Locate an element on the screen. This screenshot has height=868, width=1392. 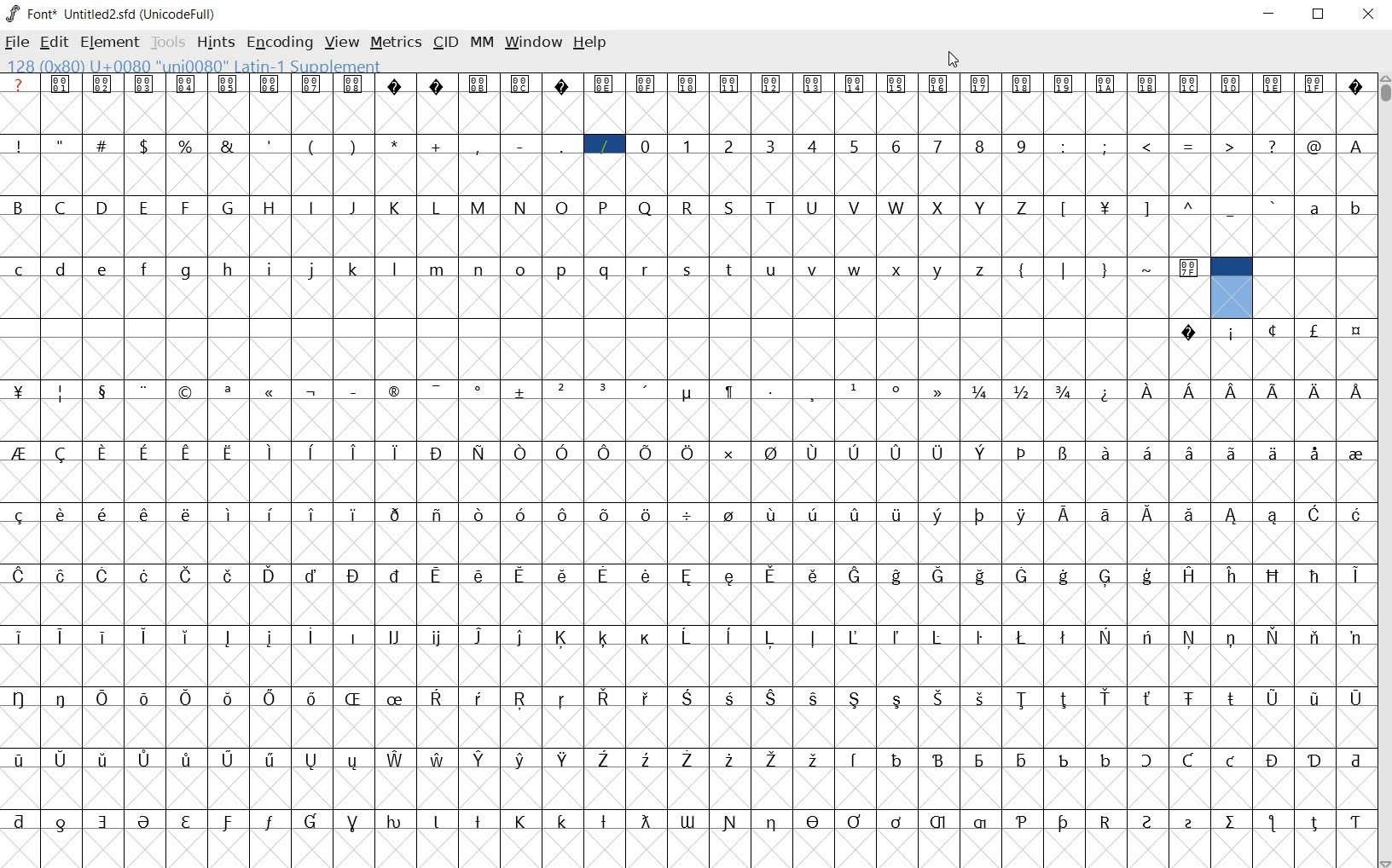
/ is located at coordinates (604, 144).